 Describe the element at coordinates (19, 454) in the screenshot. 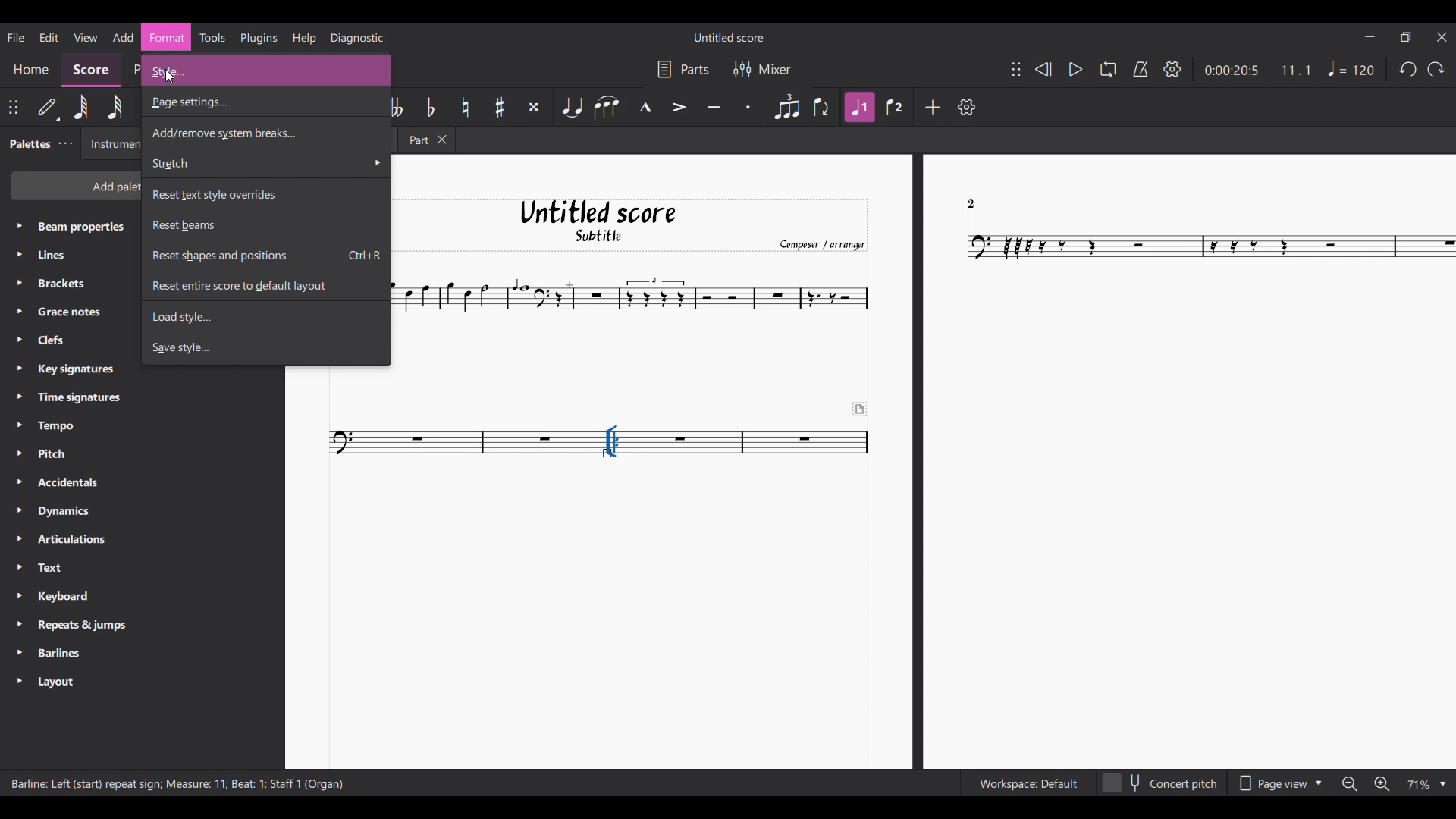

I see `Expand` at that location.